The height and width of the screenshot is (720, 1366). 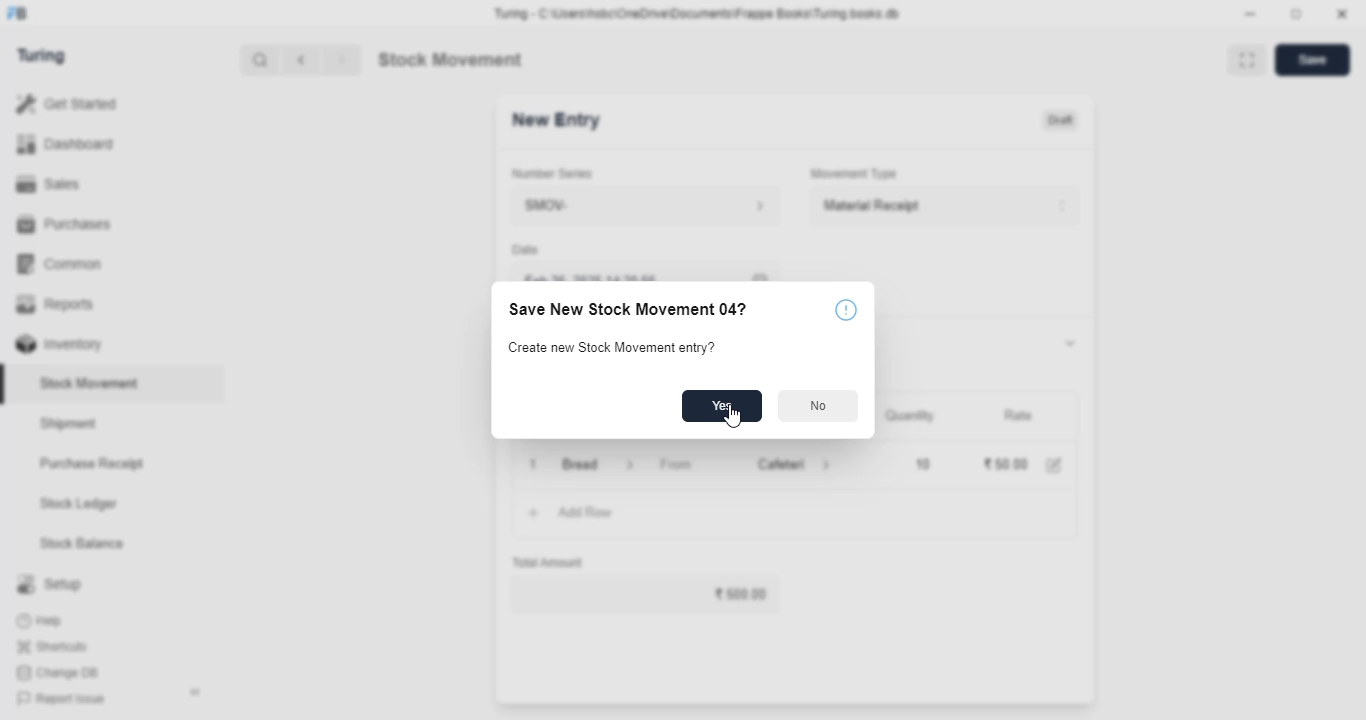 I want to click on report issue, so click(x=61, y=698).